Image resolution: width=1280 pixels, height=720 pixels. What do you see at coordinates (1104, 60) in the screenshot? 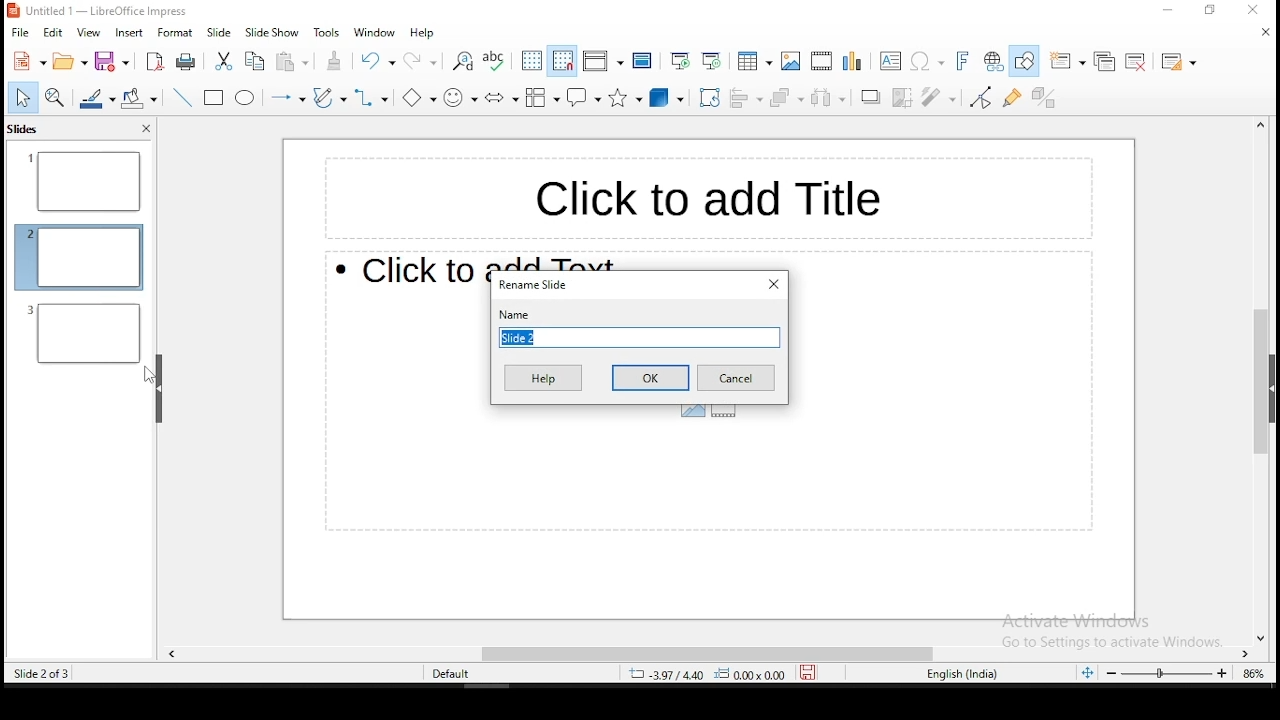
I see `duplicate slide` at bounding box center [1104, 60].